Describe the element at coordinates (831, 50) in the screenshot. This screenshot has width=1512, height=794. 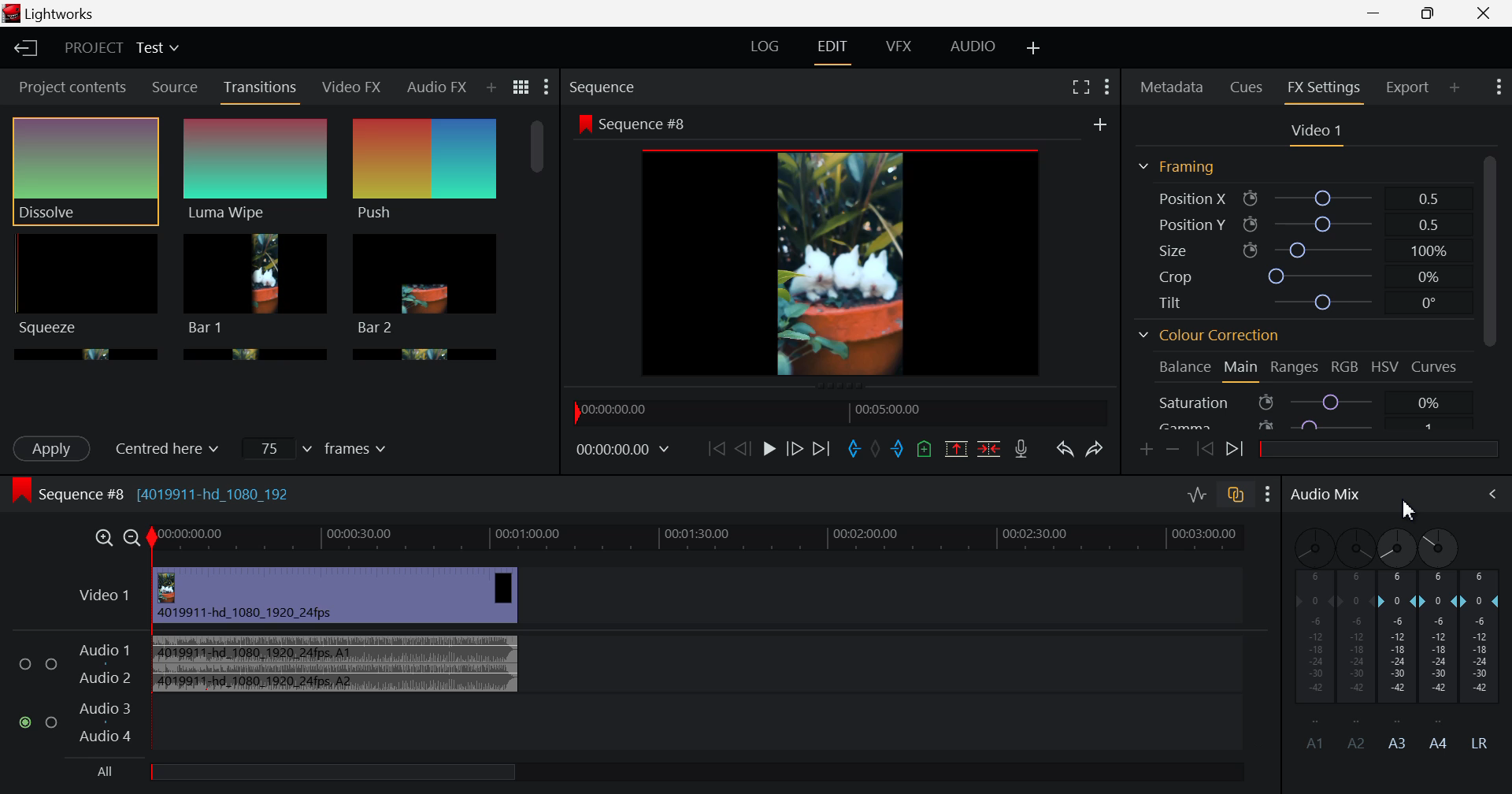
I see `EDIT Layout Open` at that location.